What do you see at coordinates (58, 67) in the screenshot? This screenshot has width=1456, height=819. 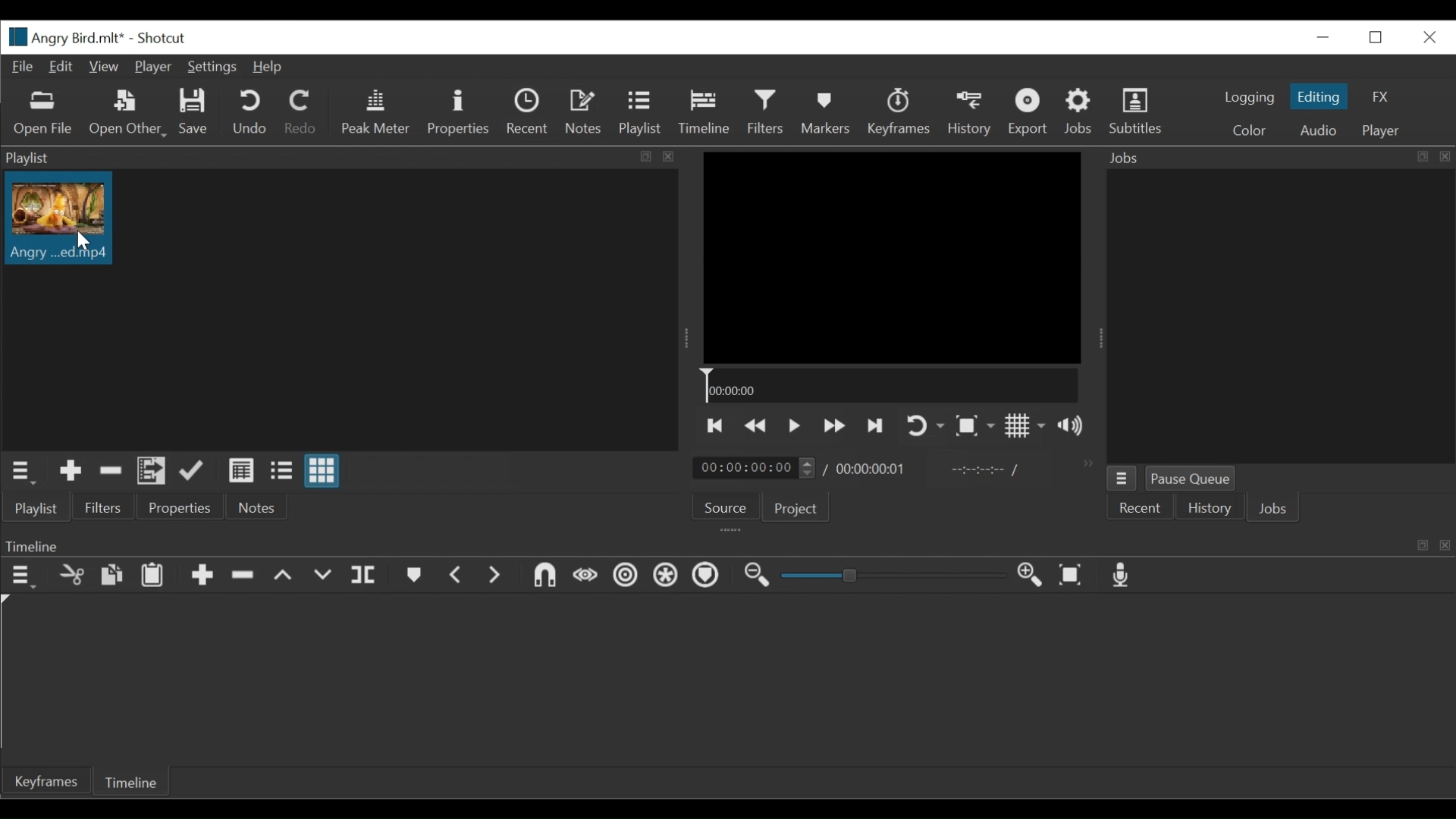 I see `Edit` at bounding box center [58, 67].